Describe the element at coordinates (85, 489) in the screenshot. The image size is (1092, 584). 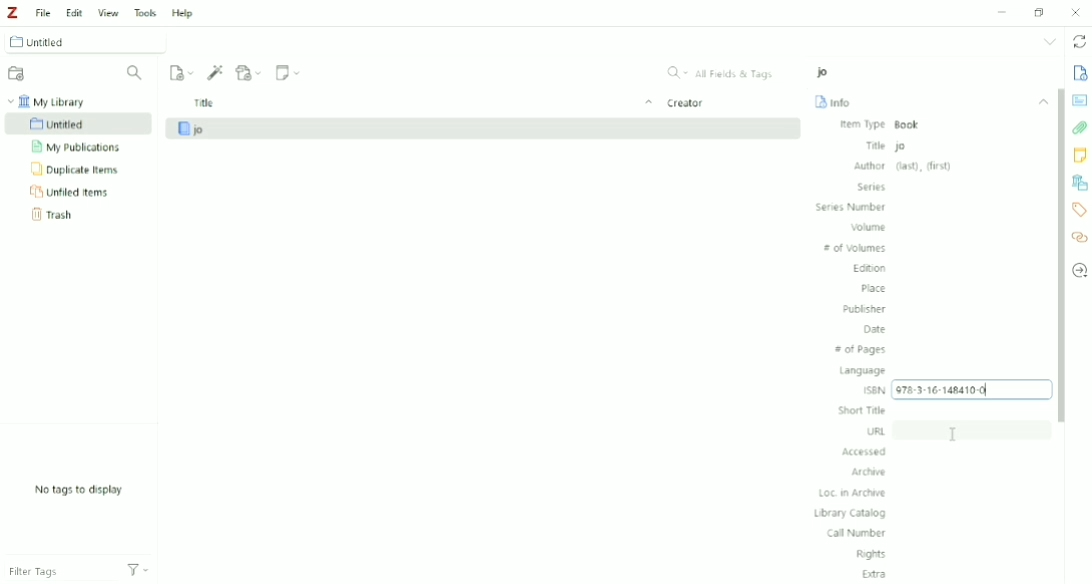
I see `No tags to display` at that location.